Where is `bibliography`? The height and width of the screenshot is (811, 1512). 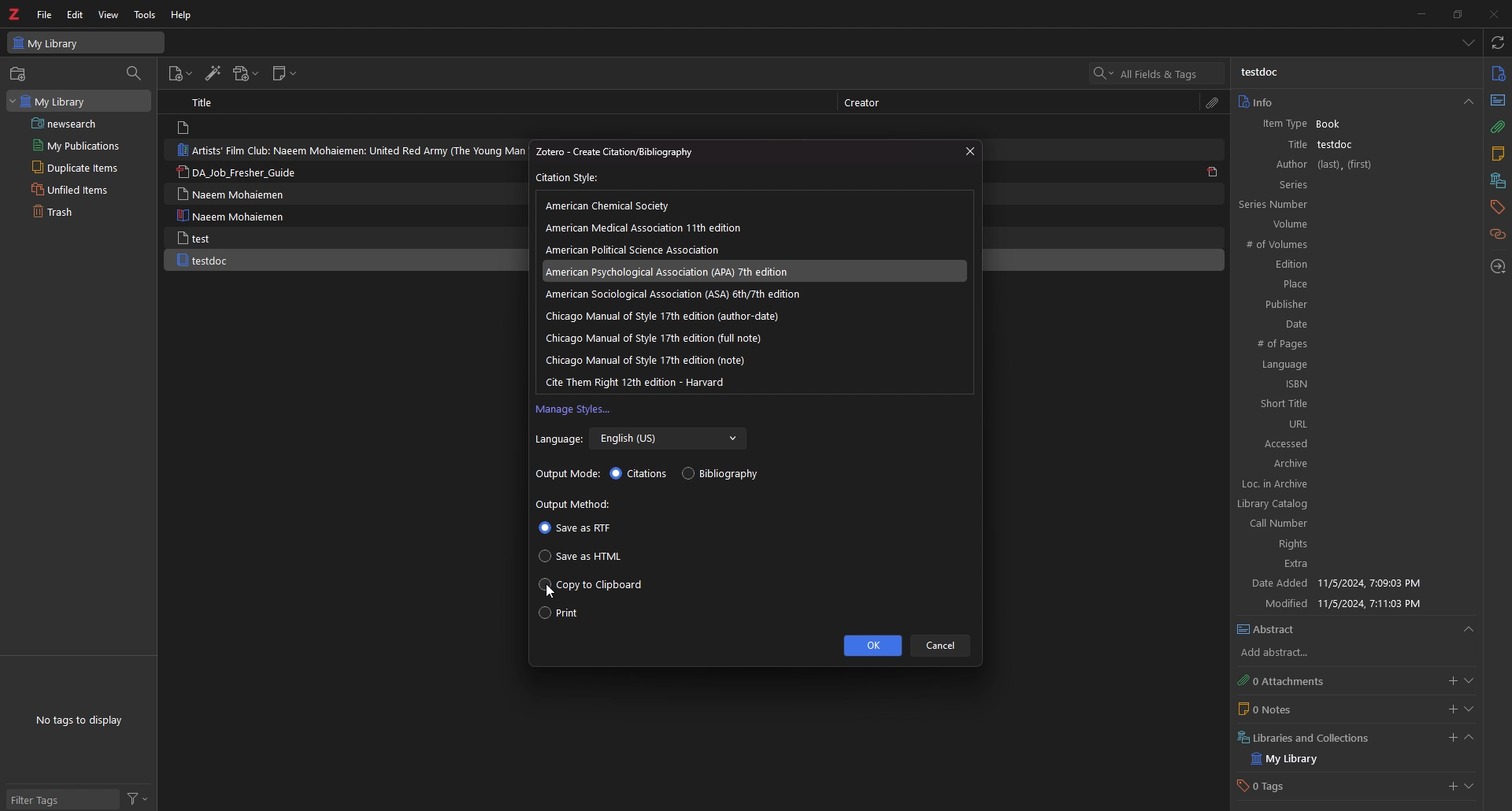 bibliography is located at coordinates (724, 473).